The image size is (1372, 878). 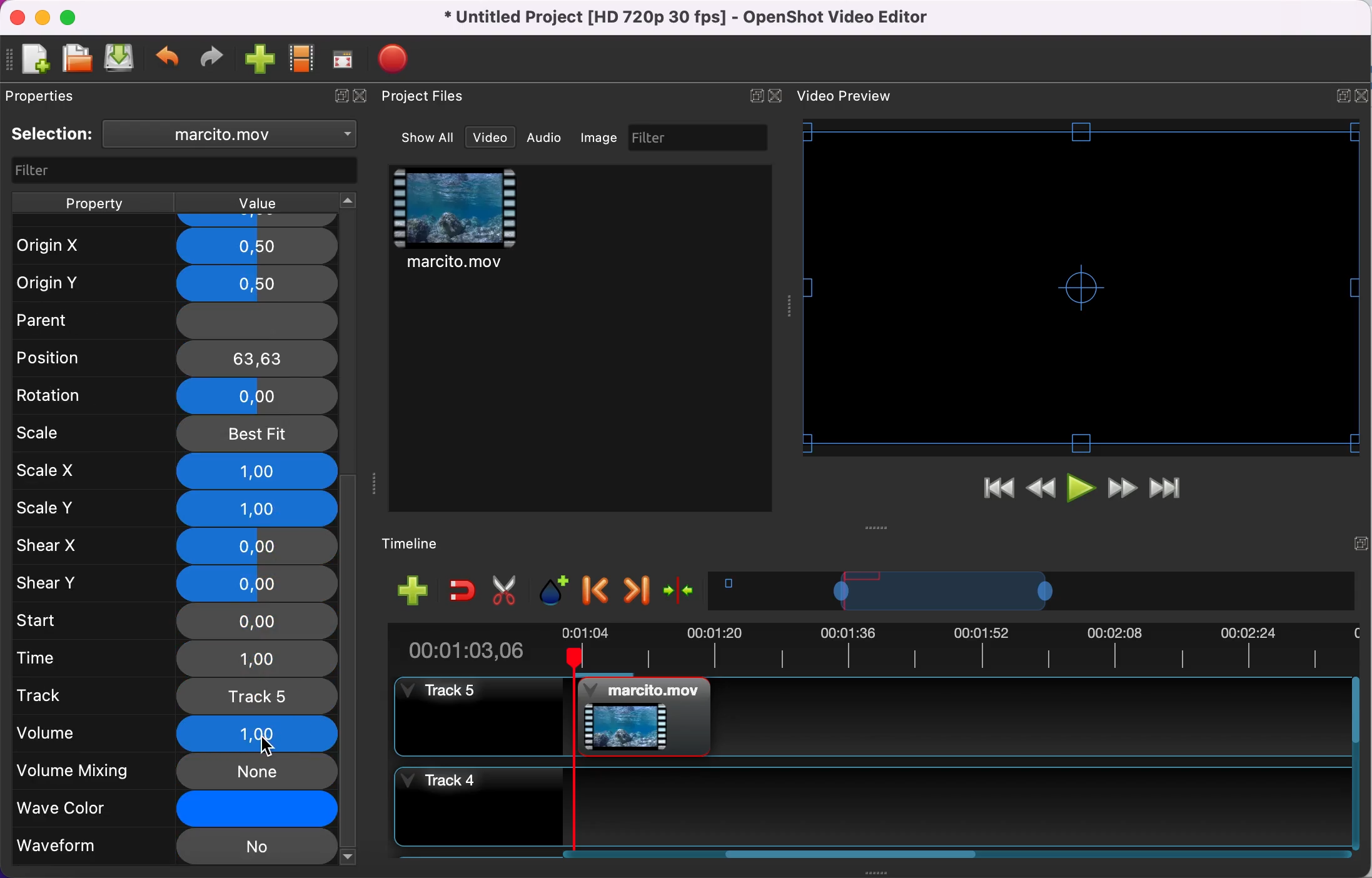 I want to click on cursor, so click(x=272, y=745).